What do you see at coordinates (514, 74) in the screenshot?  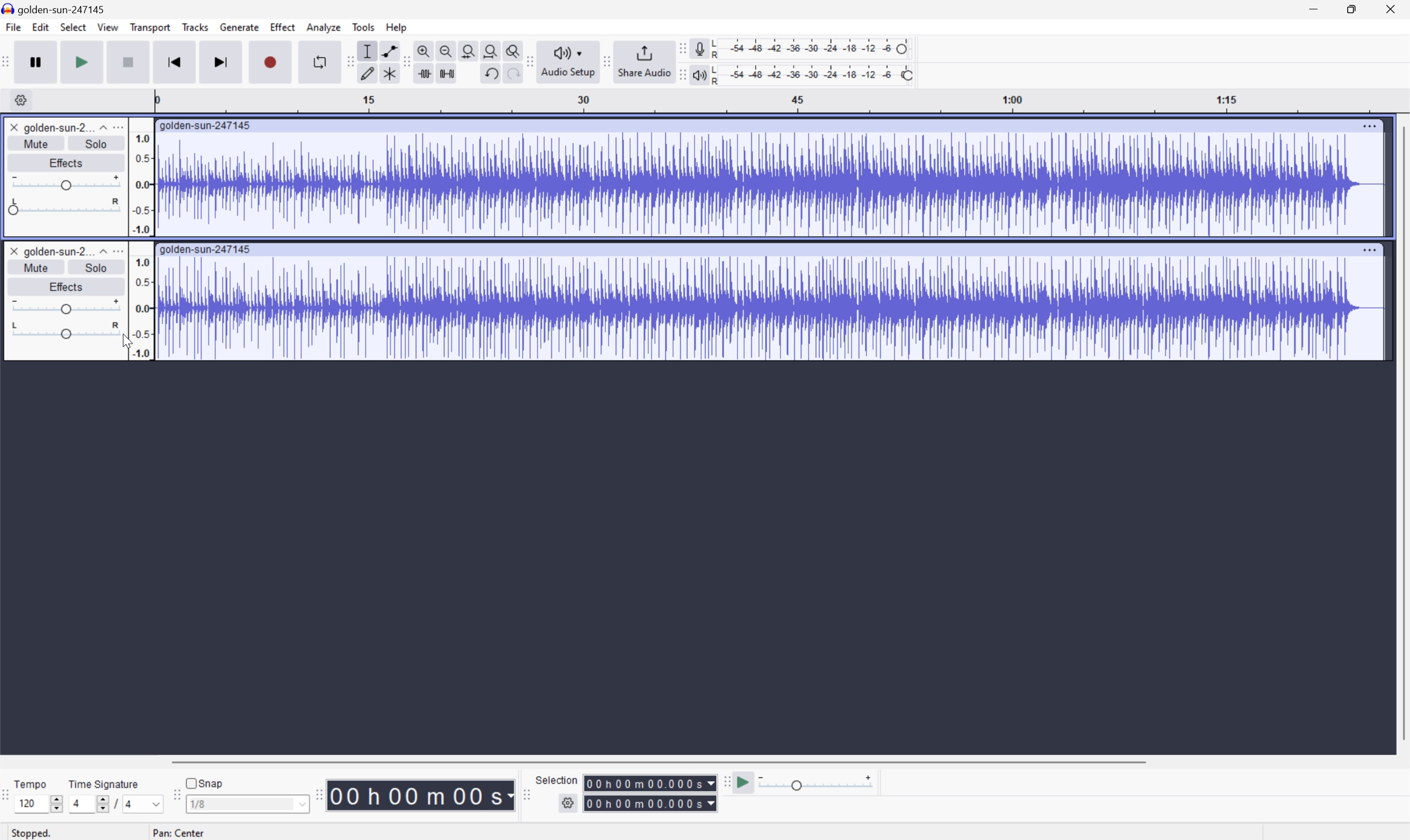 I see `Redo` at bounding box center [514, 74].